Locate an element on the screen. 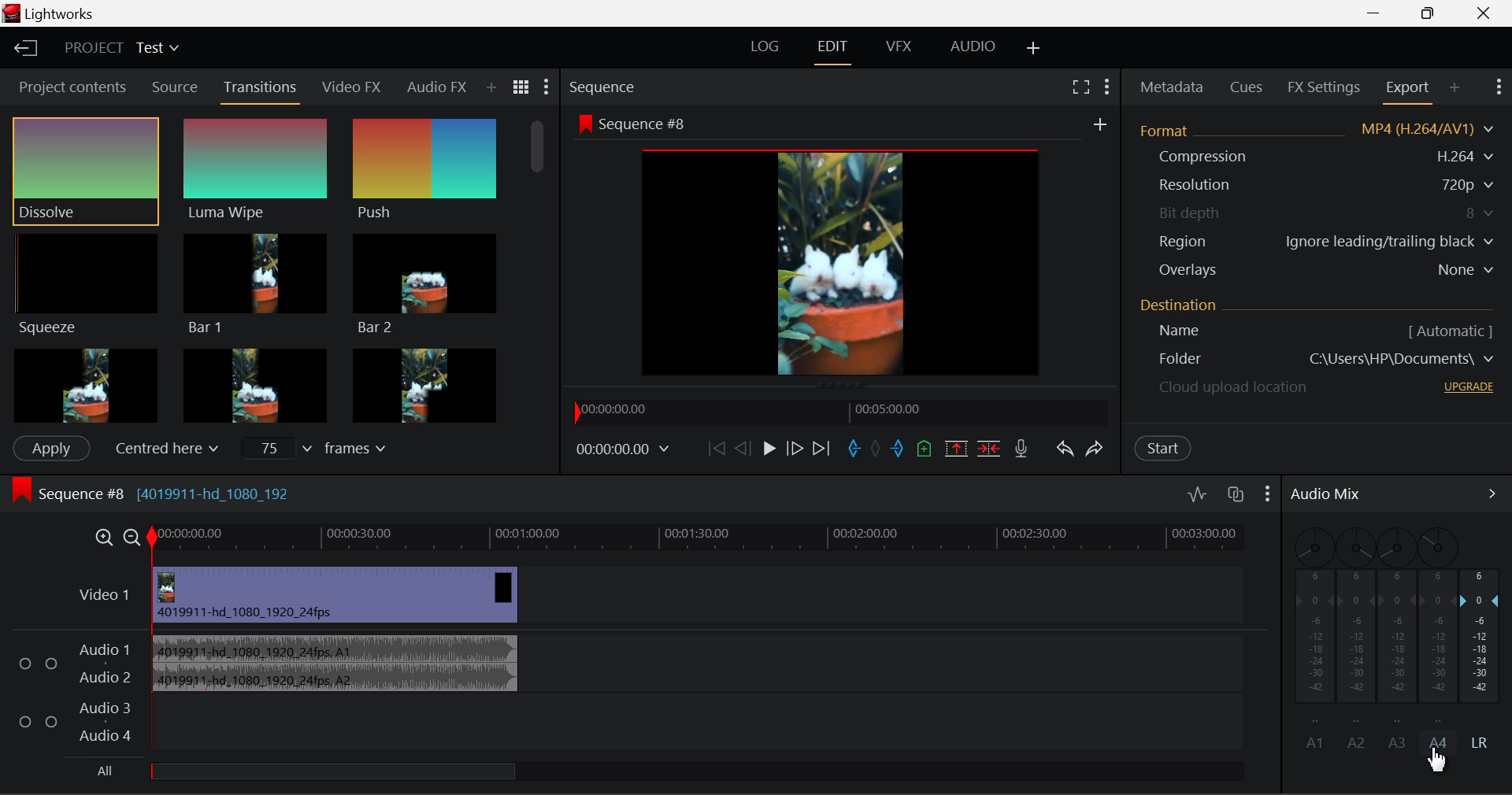  Toggle between title and list view is located at coordinates (521, 87).